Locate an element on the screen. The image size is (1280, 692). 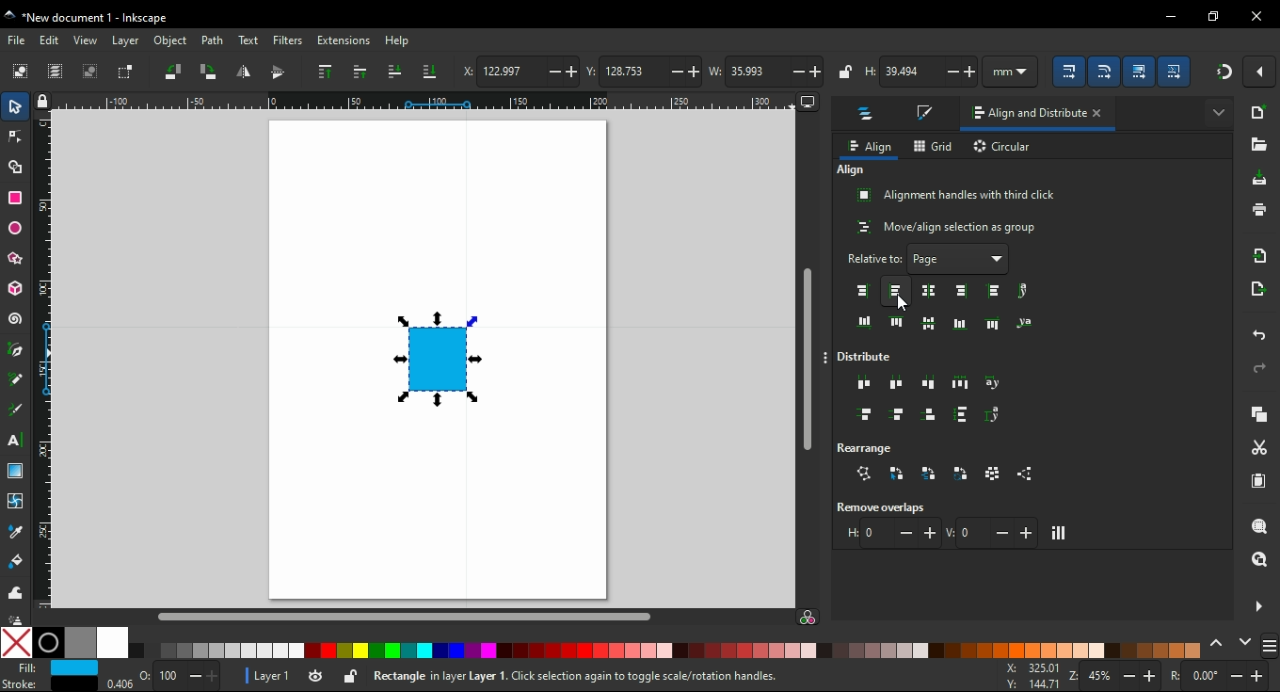
deselect is located at coordinates (91, 73).